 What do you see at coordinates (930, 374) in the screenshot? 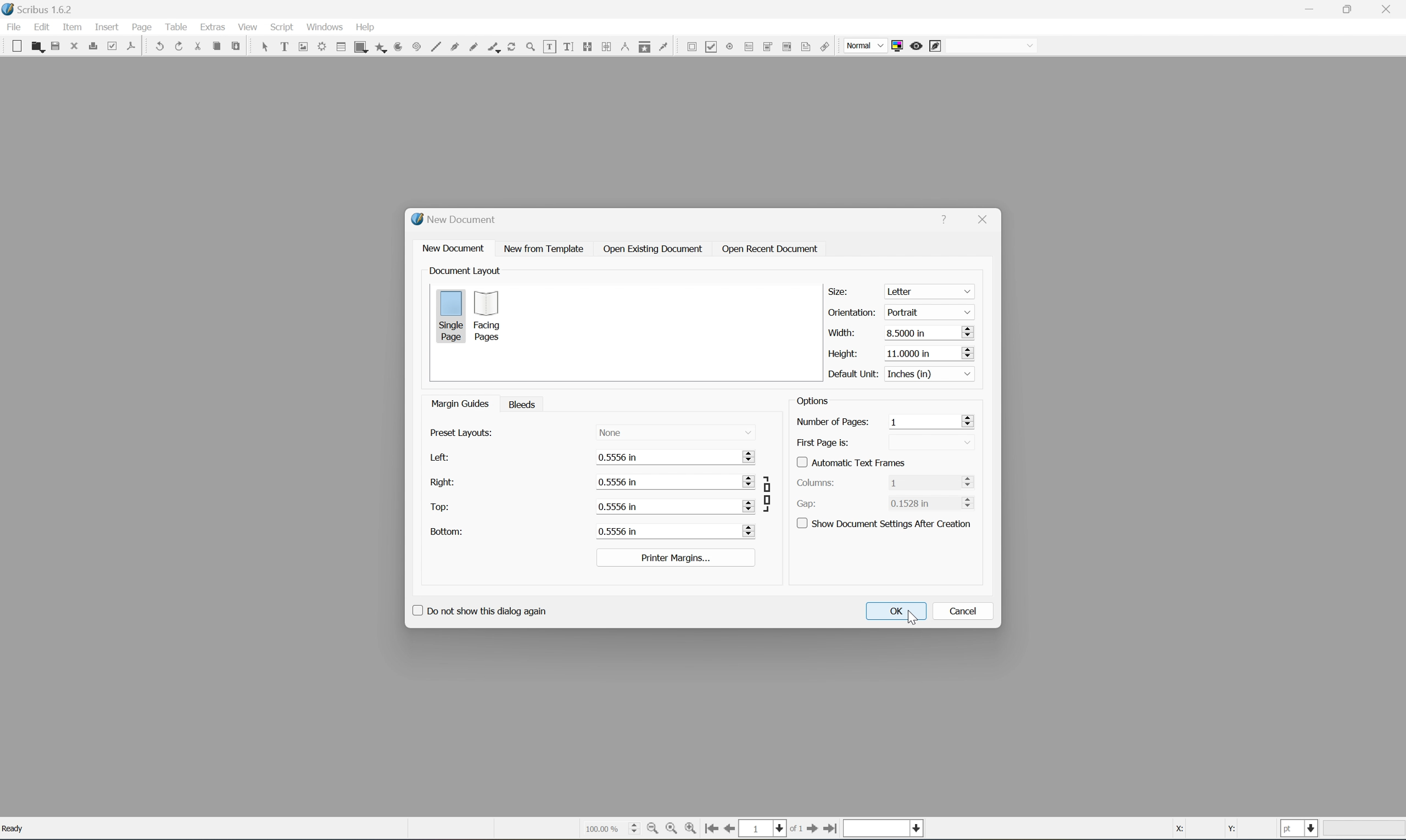
I see `inches in` at bounding box center [930, 374].